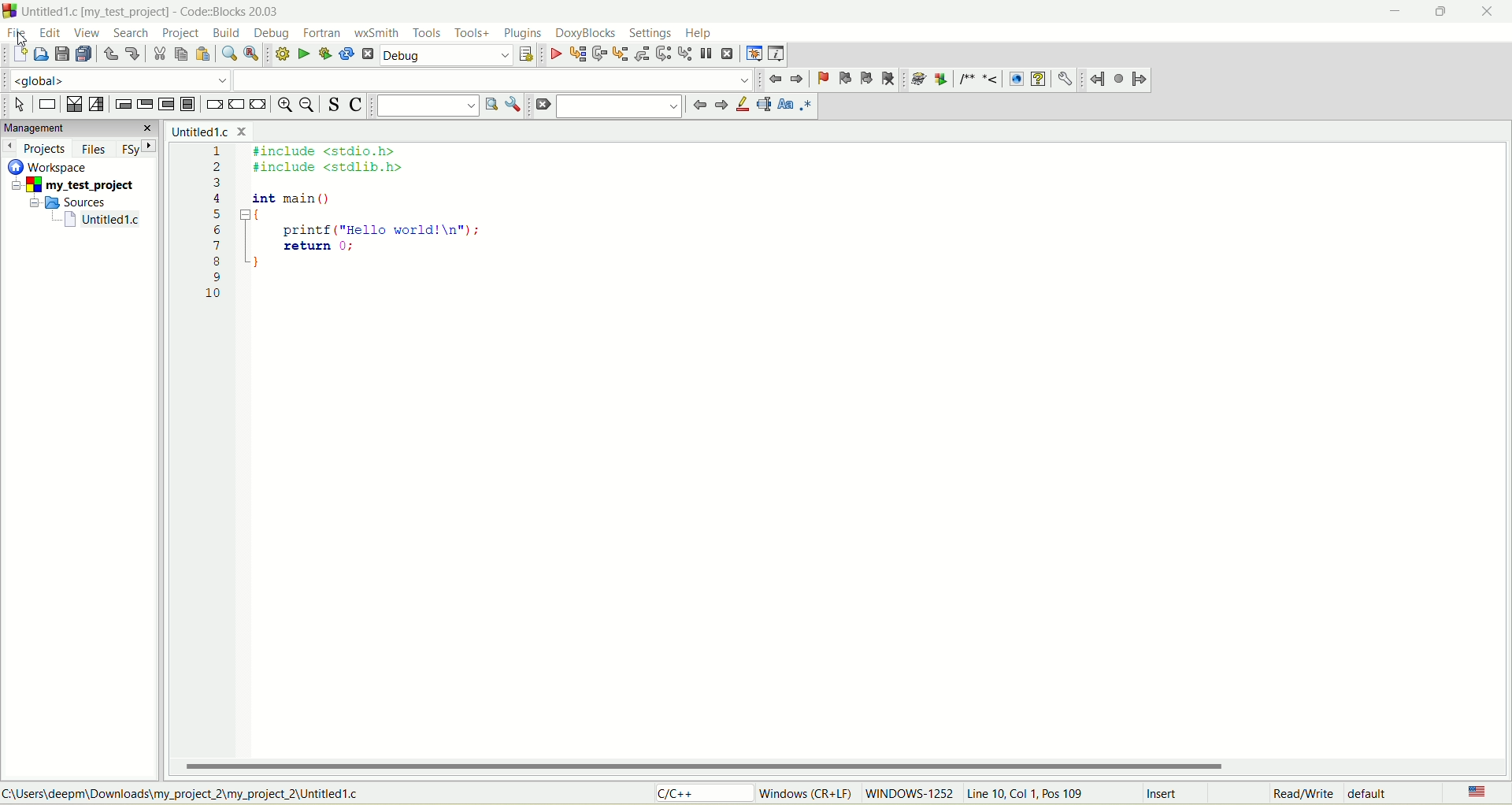 This screenshot has width=1512, height=805. I want to click on workspace, so click(51, 166).